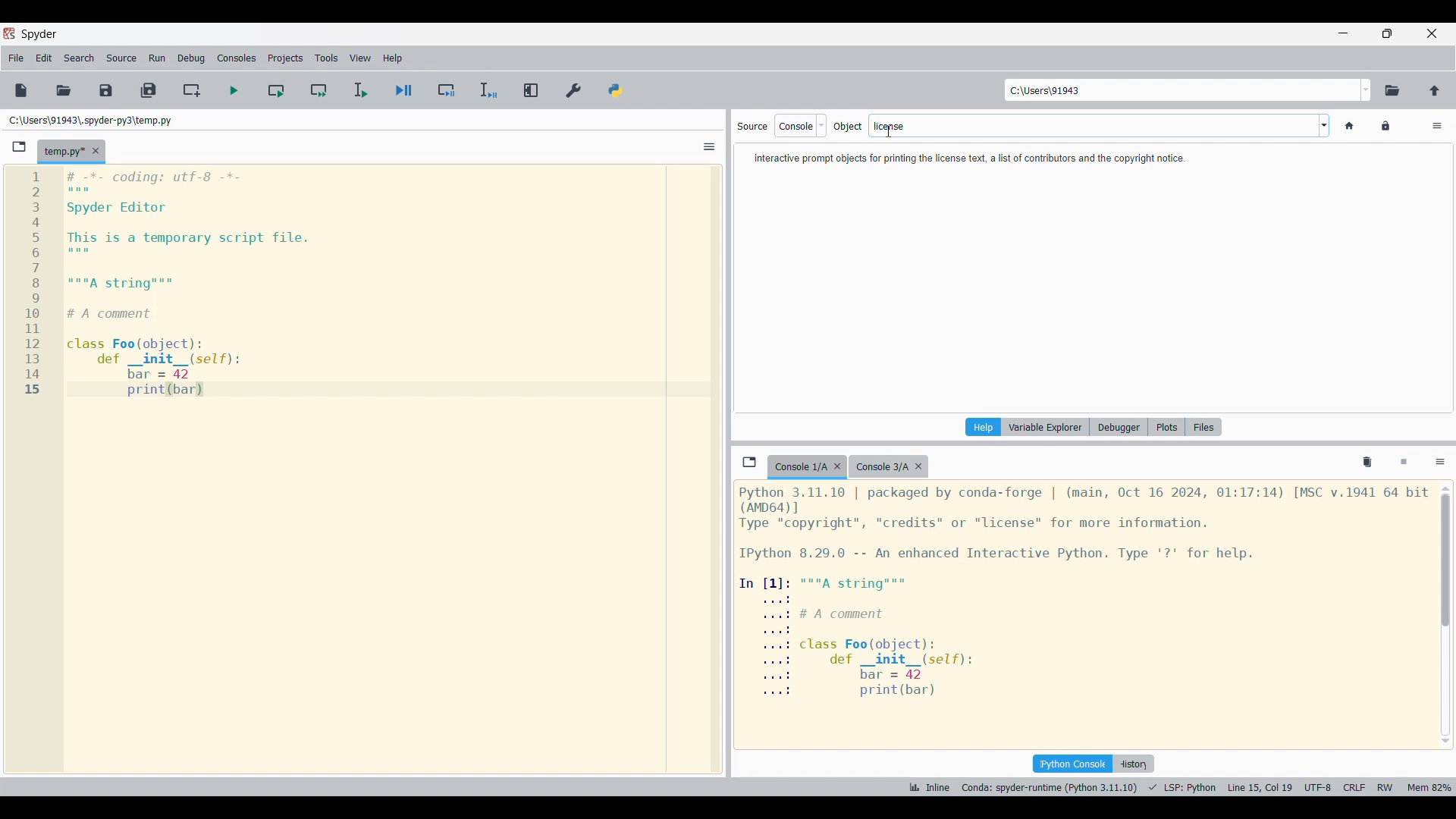 The image size is (1456, 819). I want to click on Browse tab, so click(750, 462).